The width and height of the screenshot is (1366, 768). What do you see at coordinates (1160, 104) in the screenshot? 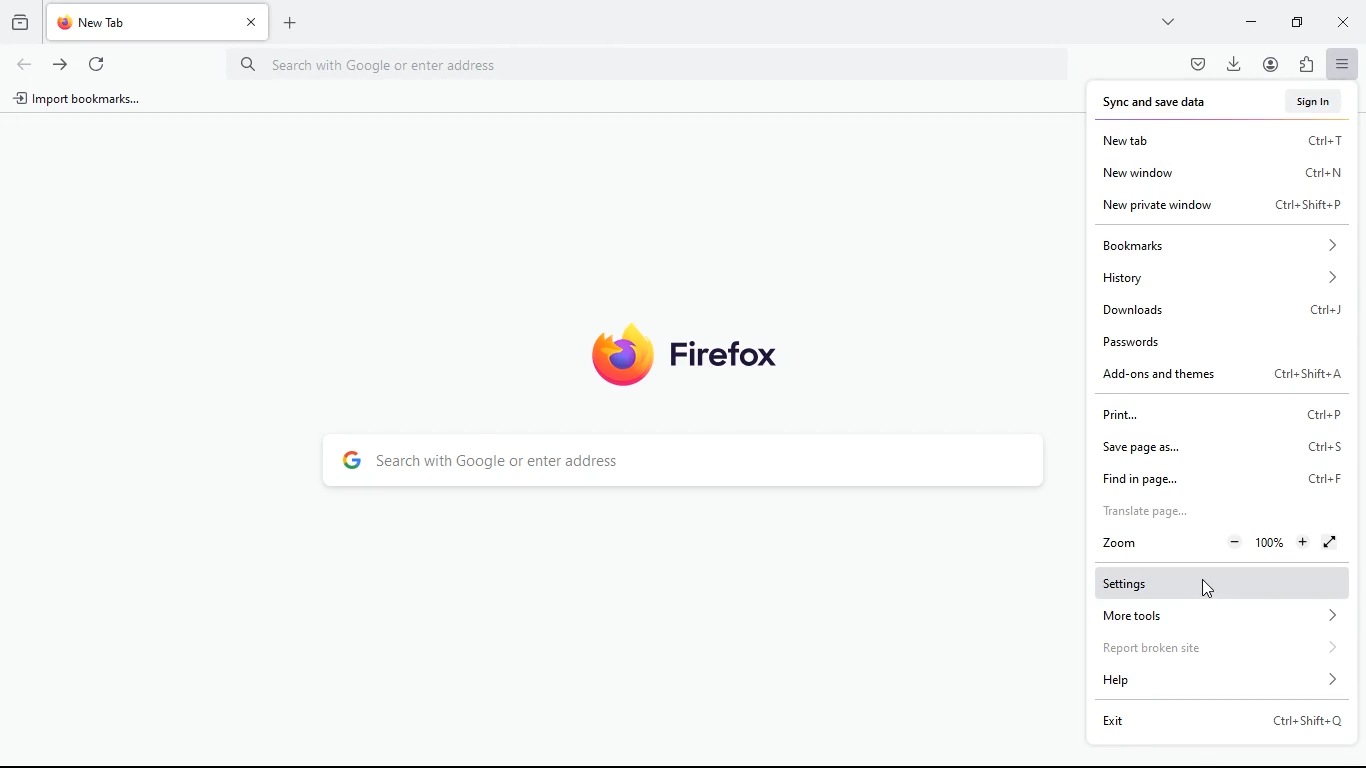
I see `sync and save data` at bounding box center [1160, 104].